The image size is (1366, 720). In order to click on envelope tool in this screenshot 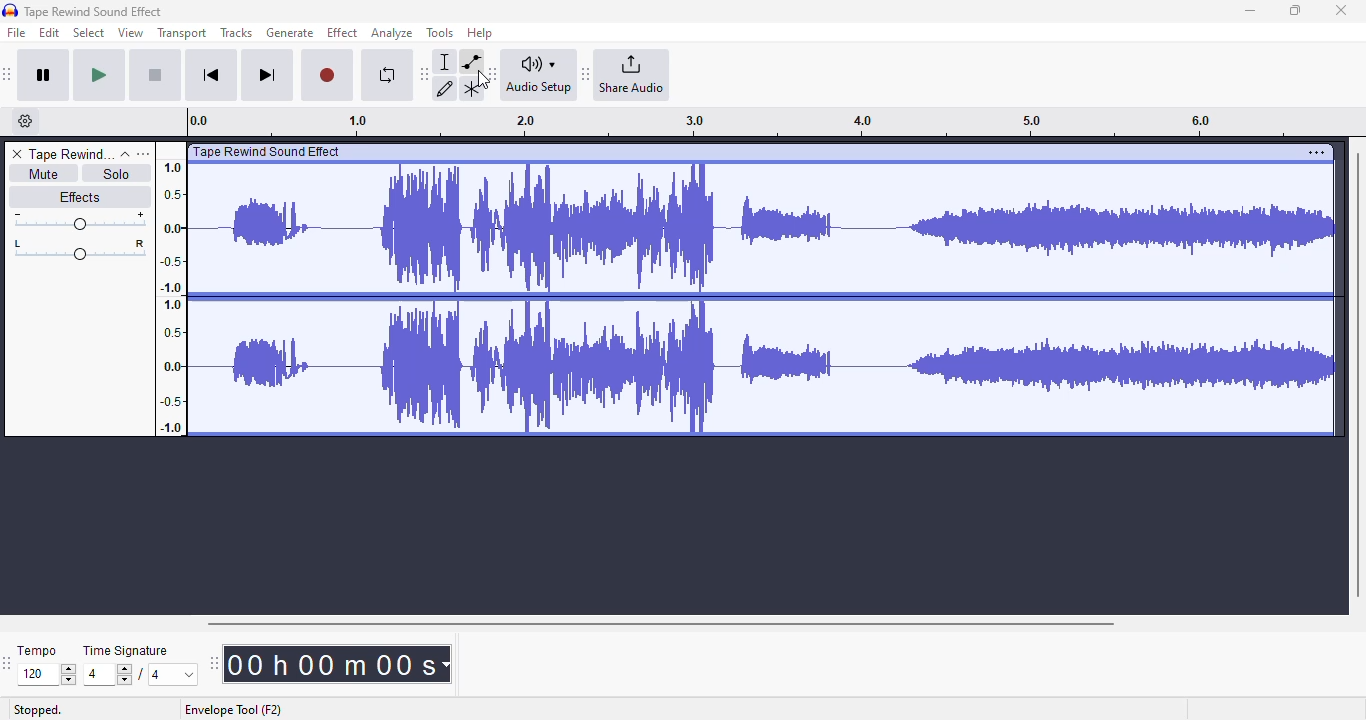, I will do `click(471, 61)`.